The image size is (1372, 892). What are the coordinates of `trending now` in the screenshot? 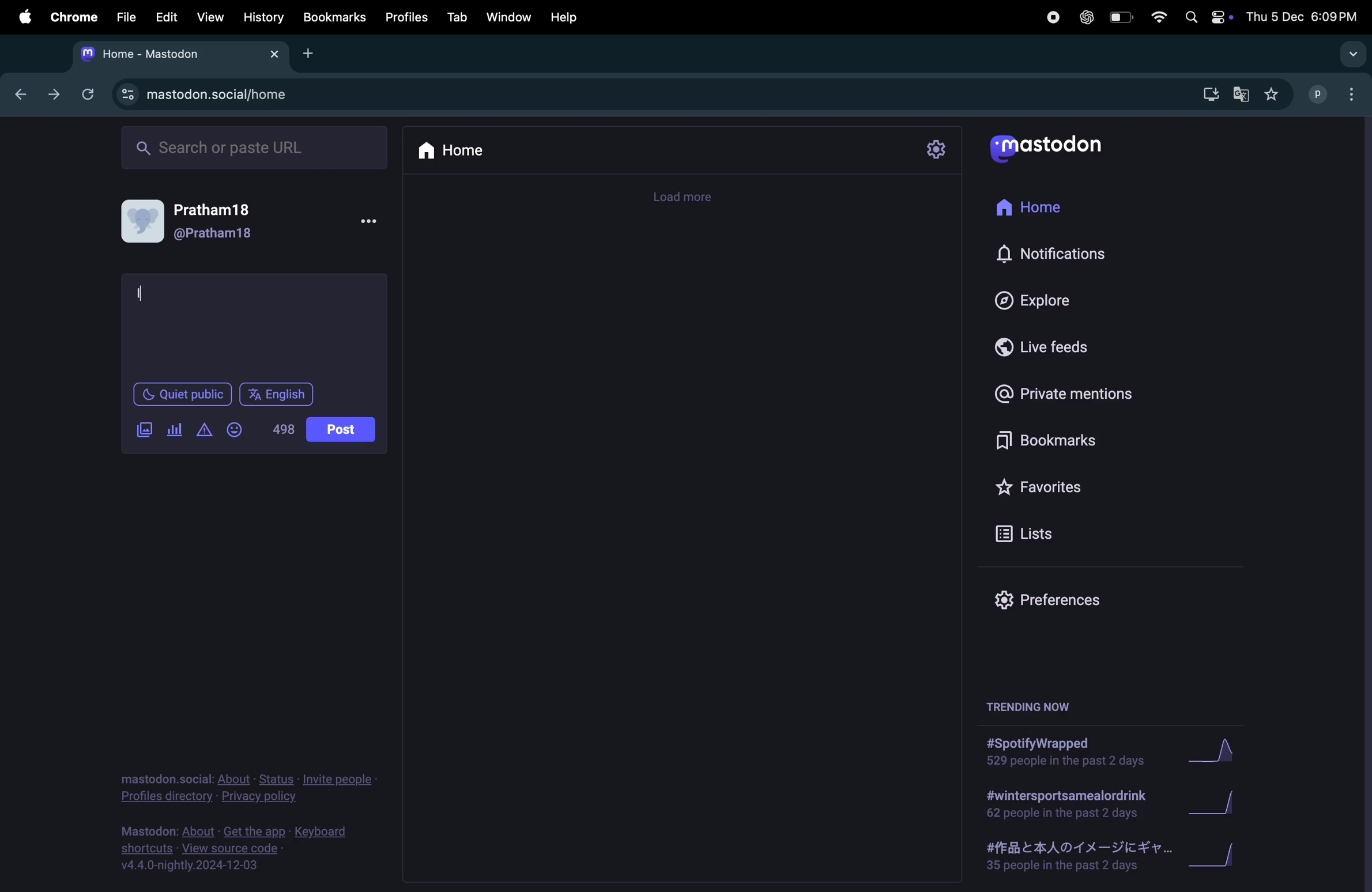 It's located at (1034, 701).